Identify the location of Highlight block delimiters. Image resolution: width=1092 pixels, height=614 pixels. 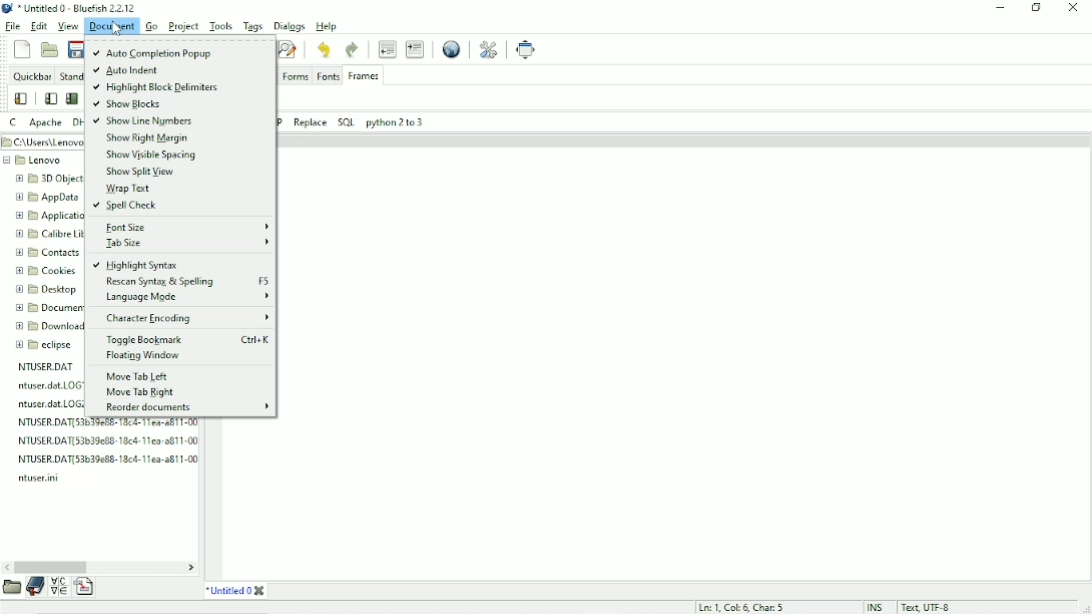
(156, 88).